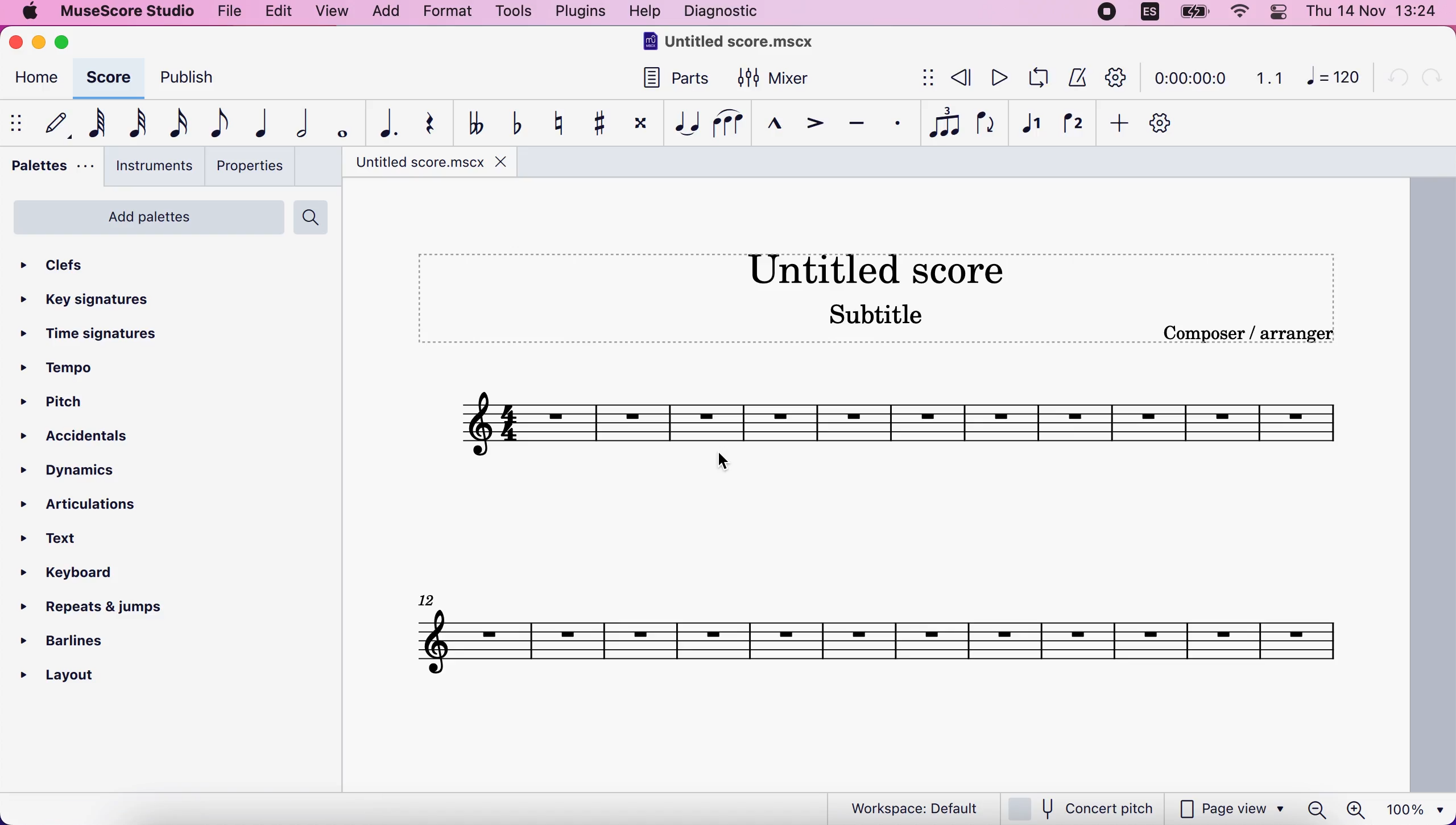  Describe the element at coordinates (1394, 81) in the screenshot. I see `undo` at that location.